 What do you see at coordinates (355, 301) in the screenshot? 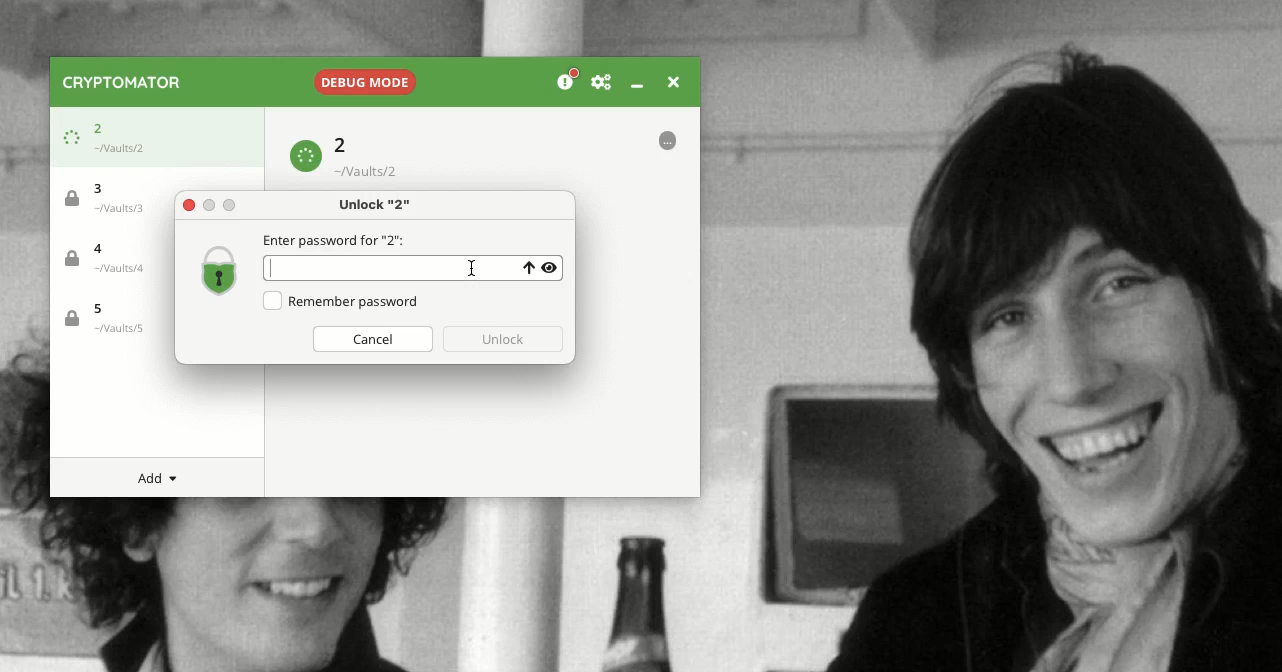
I see `Remember password` at bounding box center [355, 301].